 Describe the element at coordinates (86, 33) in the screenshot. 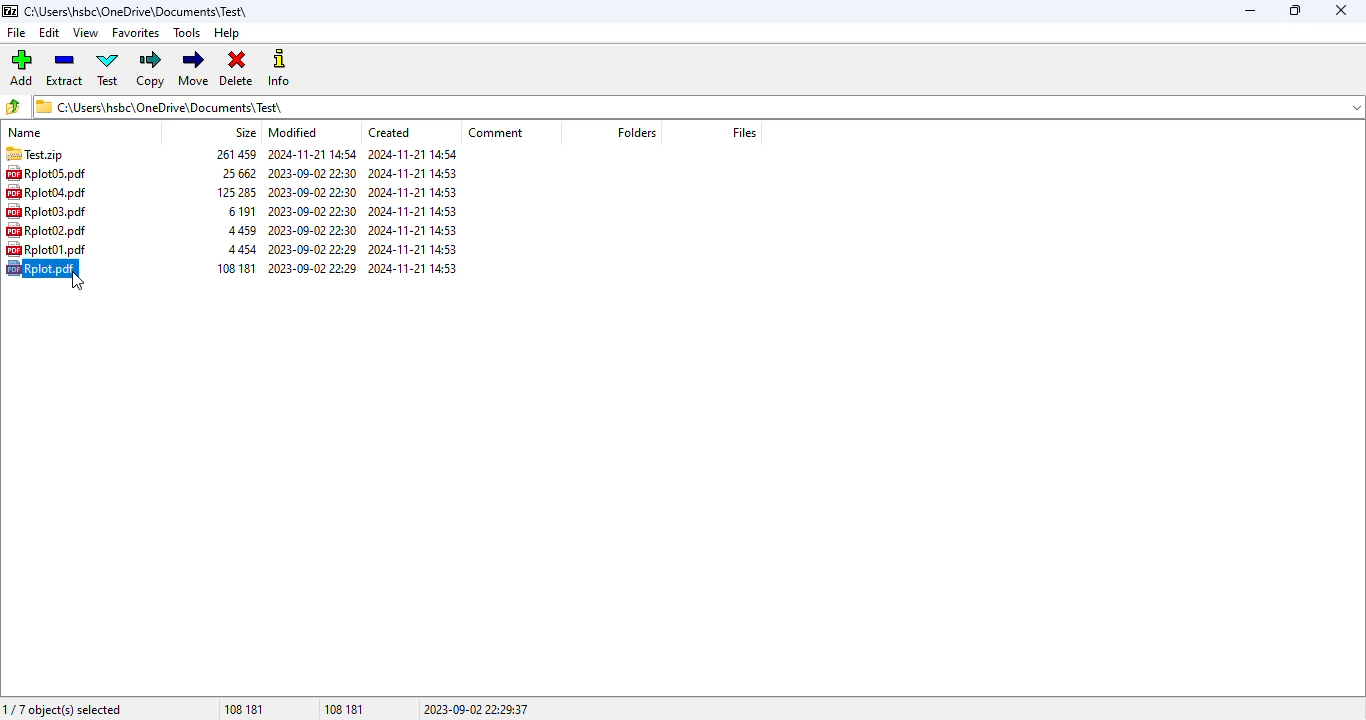

I see `view` at that location.